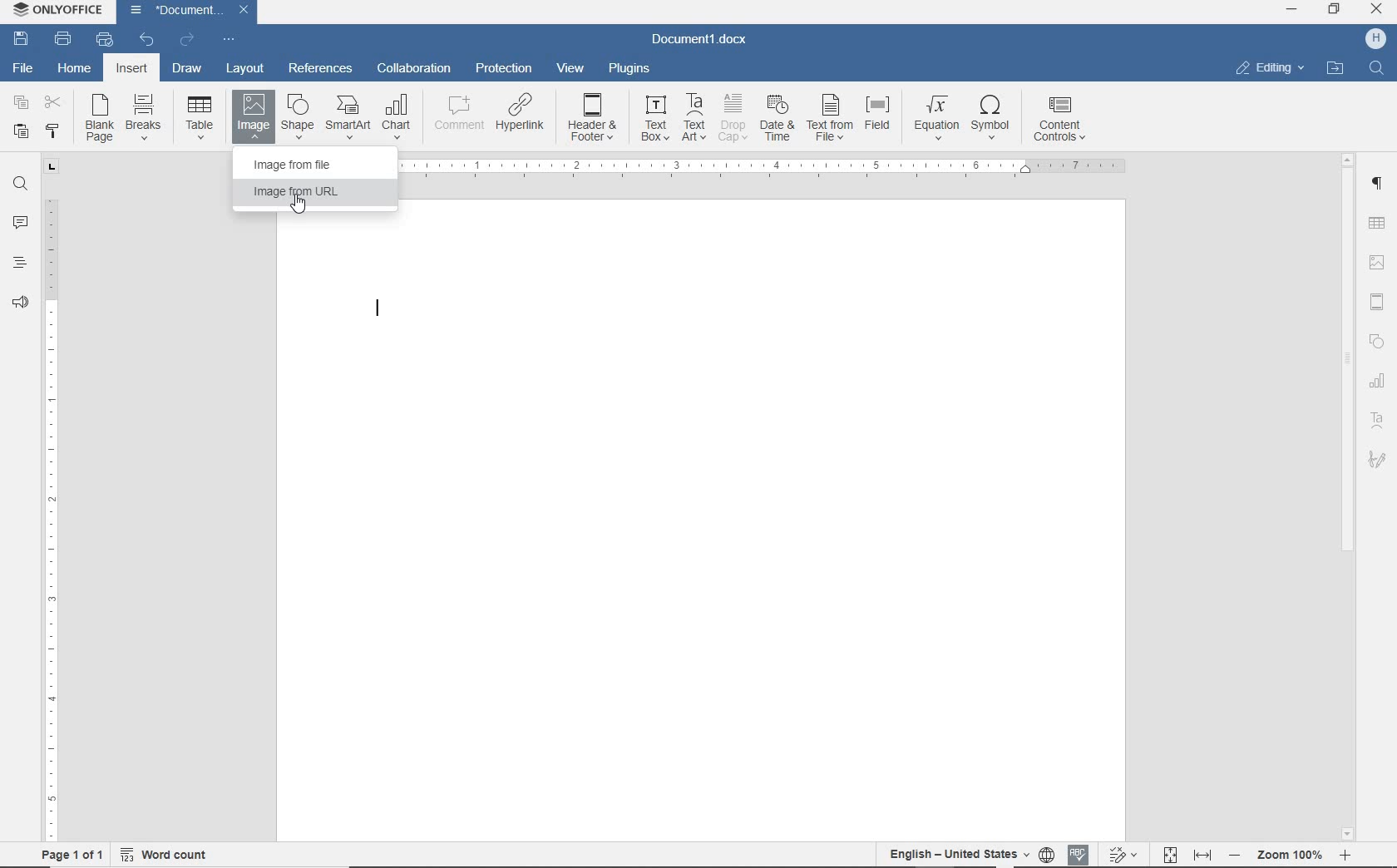 This screenshot has width=1397, height=868. What do you see at coordinates (958, 856) in the screenshot?
I see `English- United States(text language)` at bounding box center [958, 856].